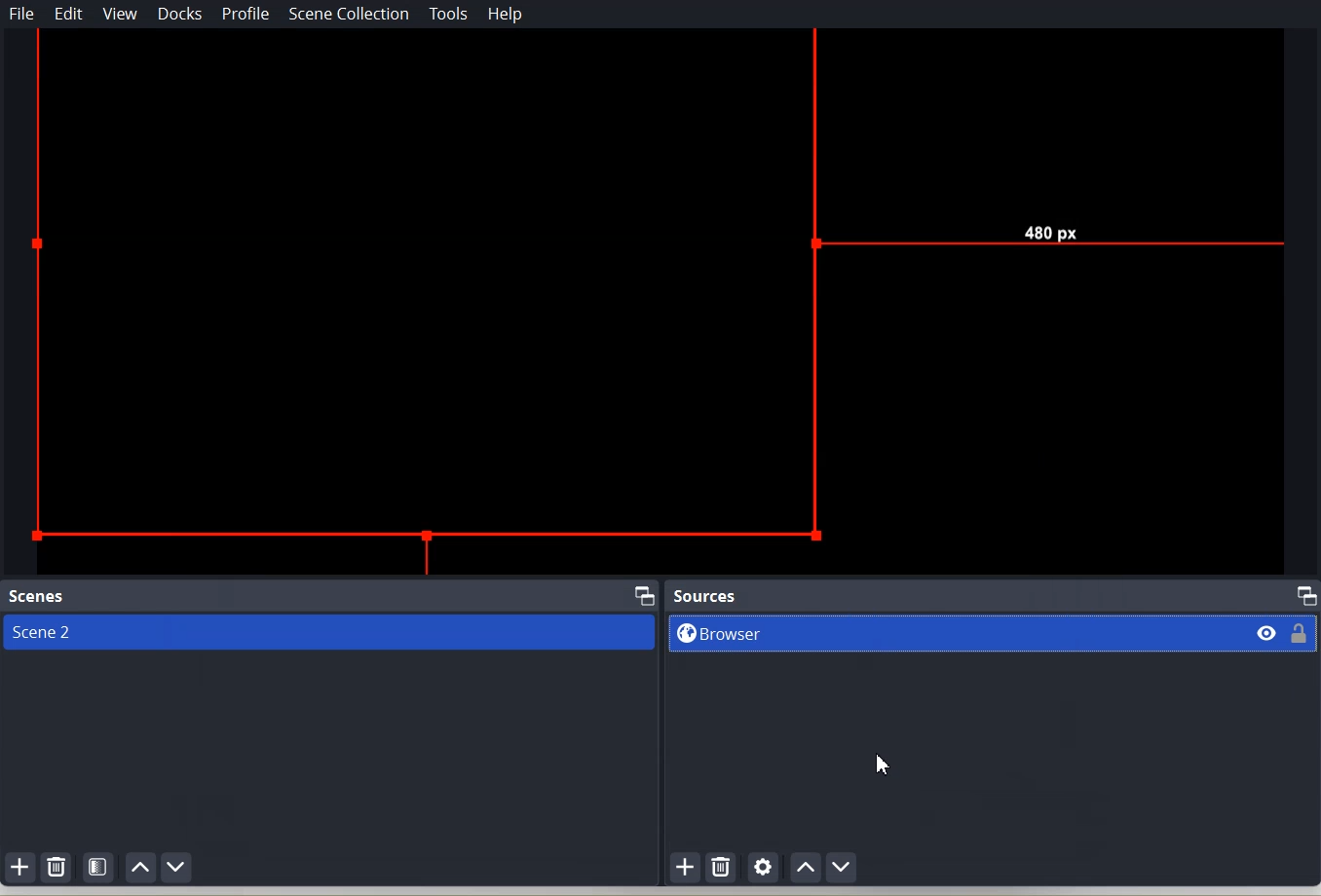 The width and height of the screenshot is (1321, 896). Describe the element at coordinates (886, 766) in the screenshot. I see `Cursor` at that location.